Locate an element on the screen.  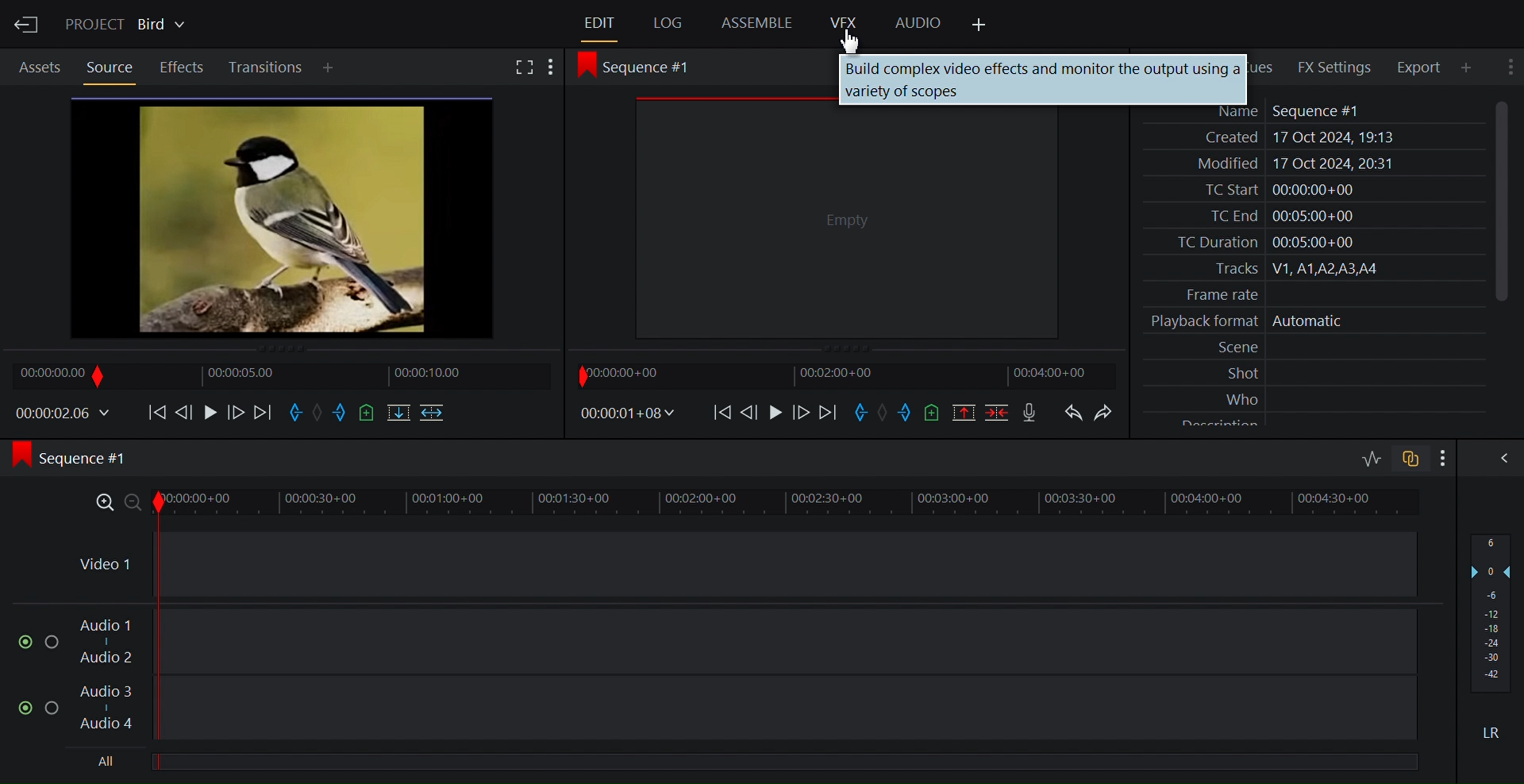
Timeline is located at coordinates (275, 374).